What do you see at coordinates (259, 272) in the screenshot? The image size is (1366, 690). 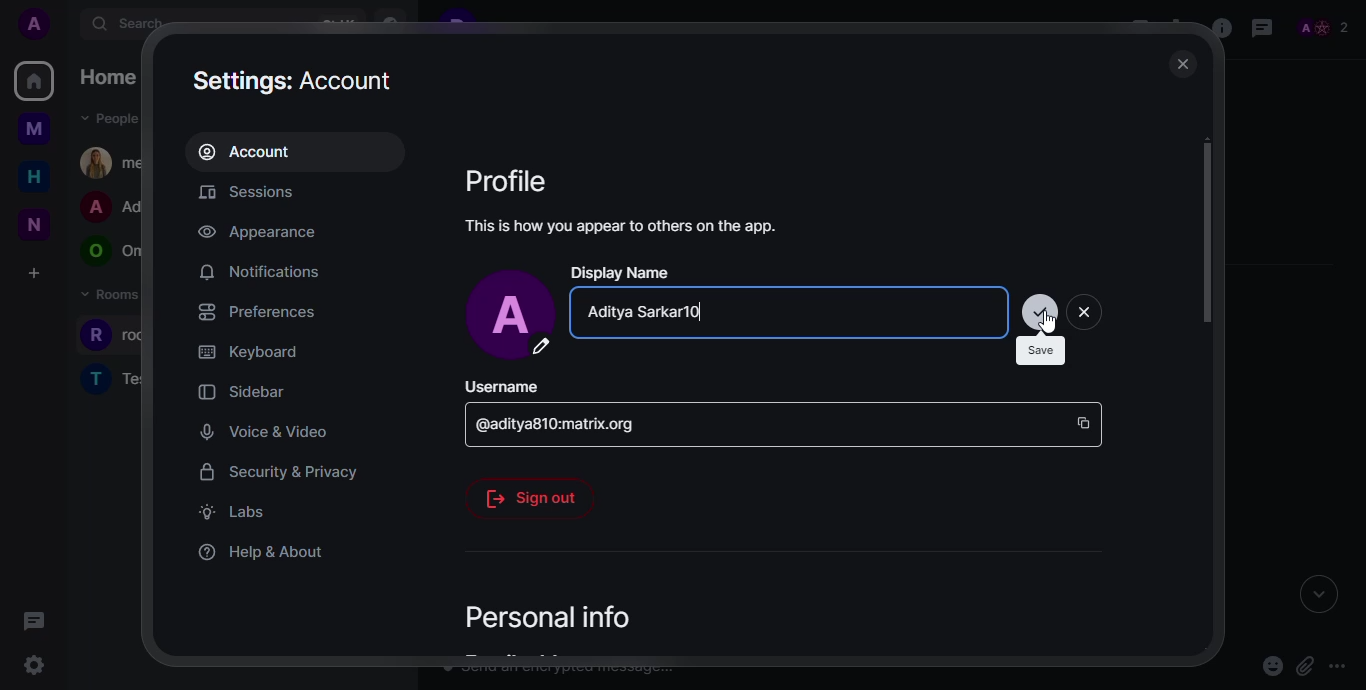 I see `notifications` at bounding box center [259, 272].